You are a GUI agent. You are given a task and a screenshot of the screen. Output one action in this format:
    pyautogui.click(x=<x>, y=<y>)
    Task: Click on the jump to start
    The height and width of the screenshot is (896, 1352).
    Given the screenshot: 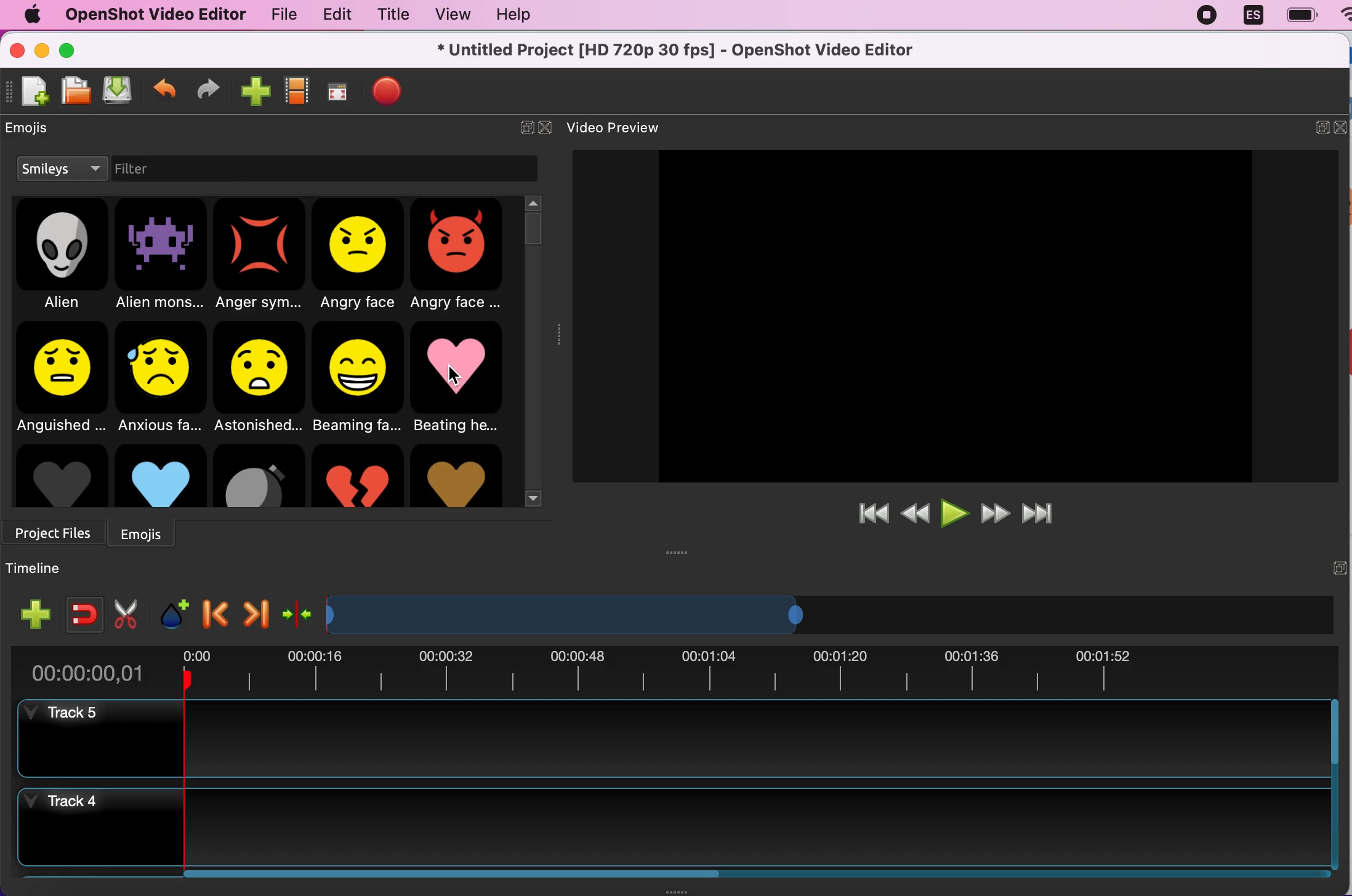 What is the action you would take?
    pyautogui.click(x=874, y=514)
    